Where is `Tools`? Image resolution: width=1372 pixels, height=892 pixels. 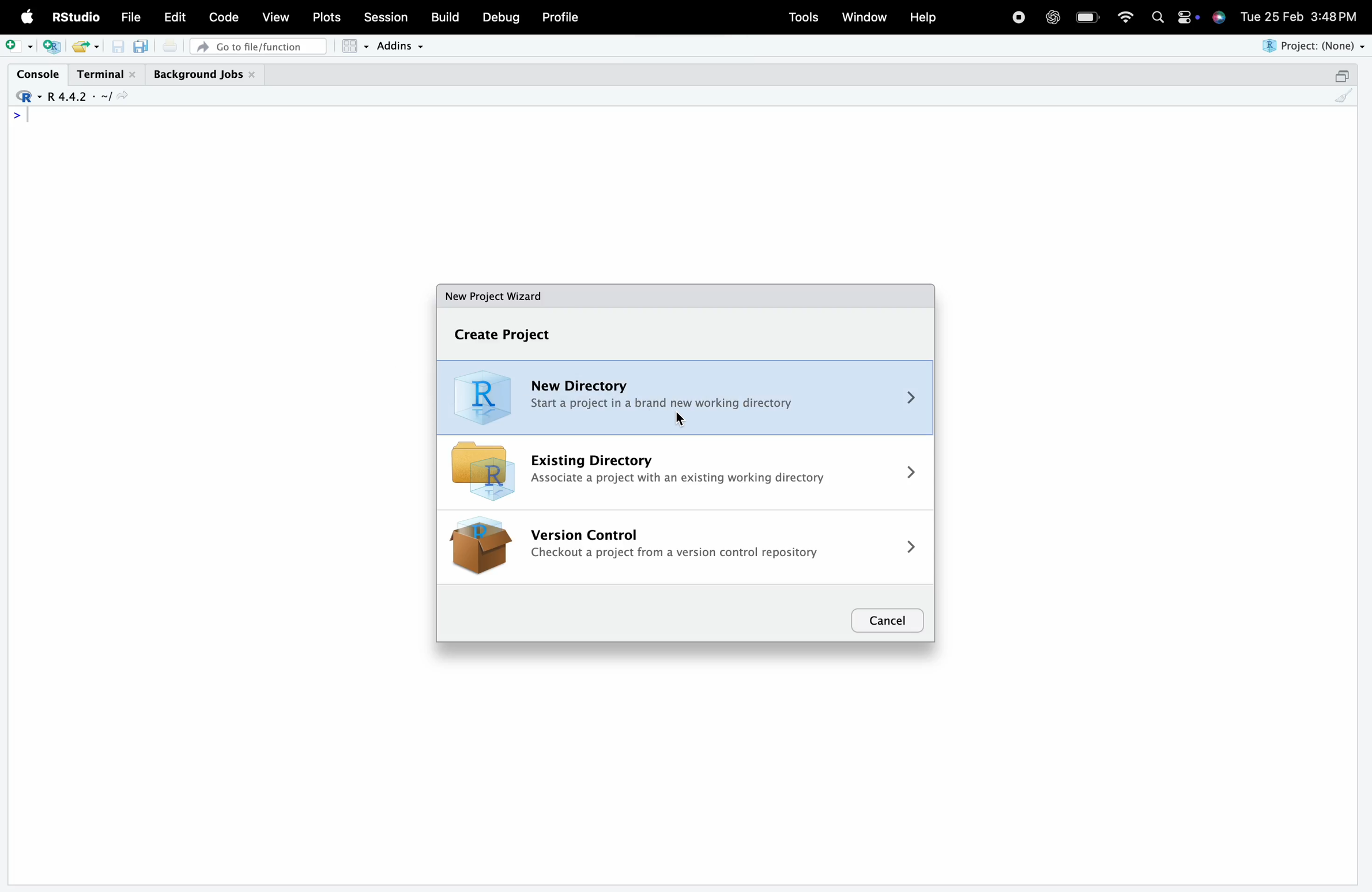
Tools is located at coordinates (804, 17).